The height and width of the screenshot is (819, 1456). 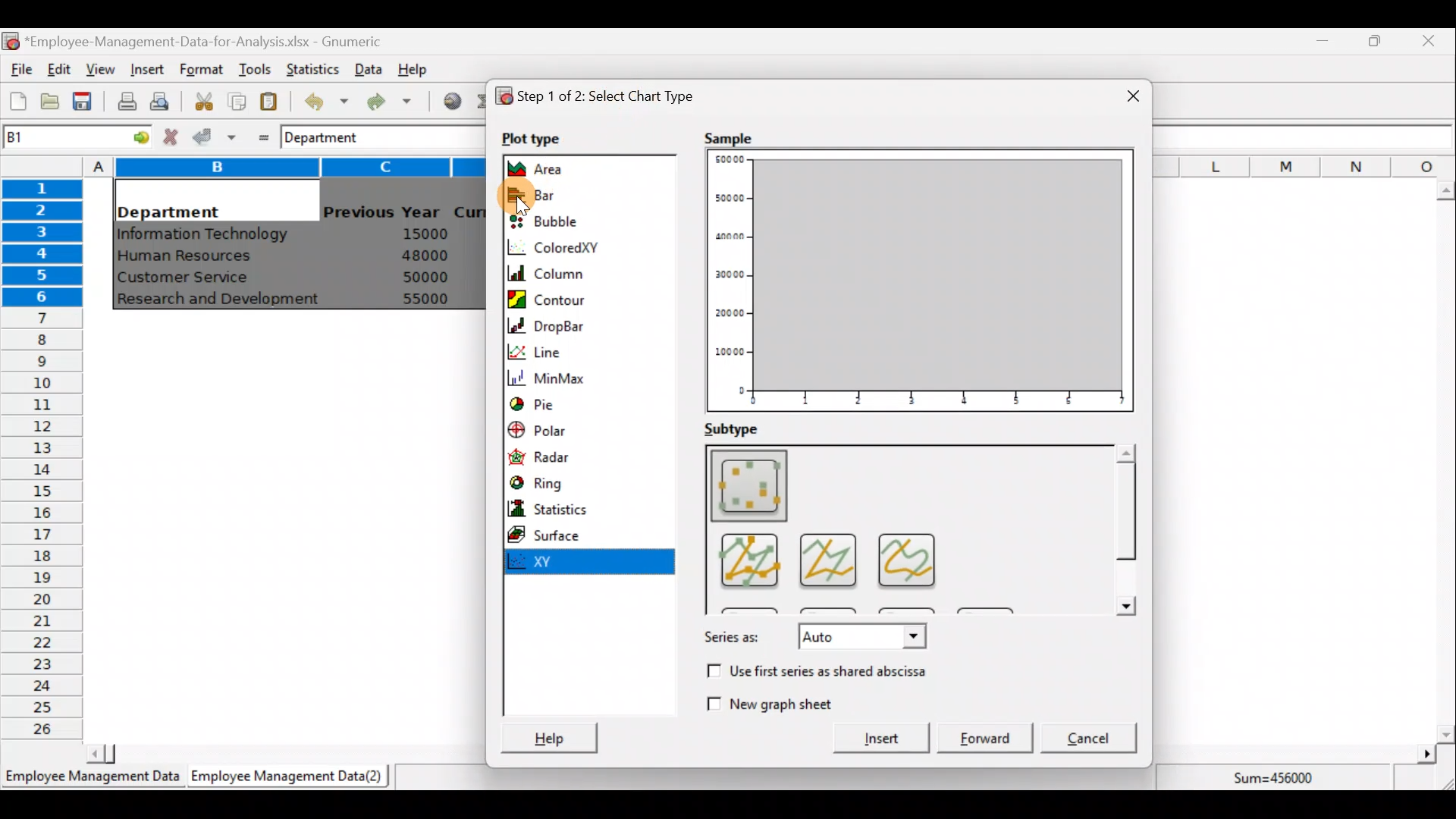 What do you see at coordinates (560, 532) in the screenshot?
I see `Surface` at bounding box center [560, 532].